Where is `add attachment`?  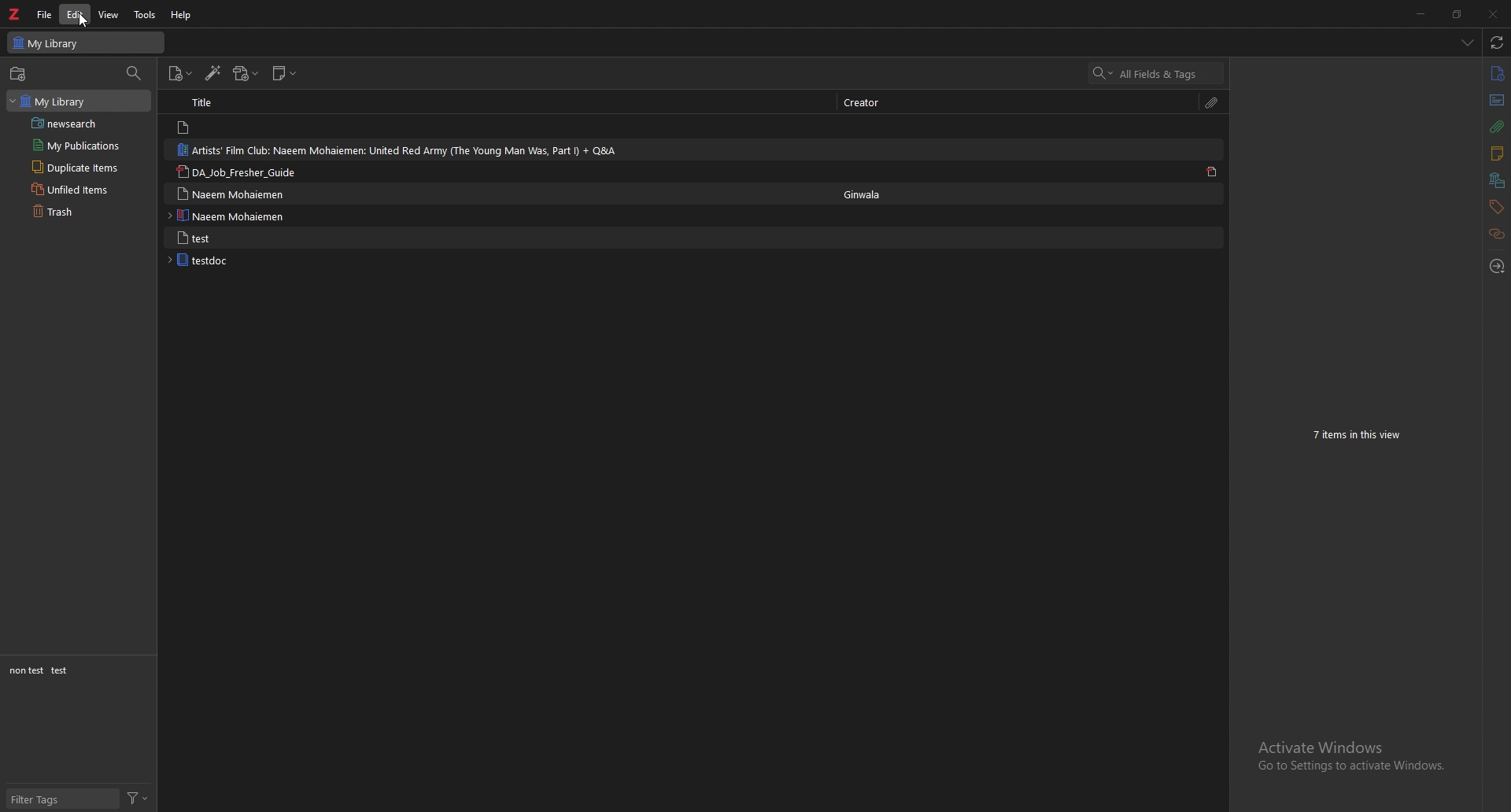 add attachment is located at coordinates (246, 74).